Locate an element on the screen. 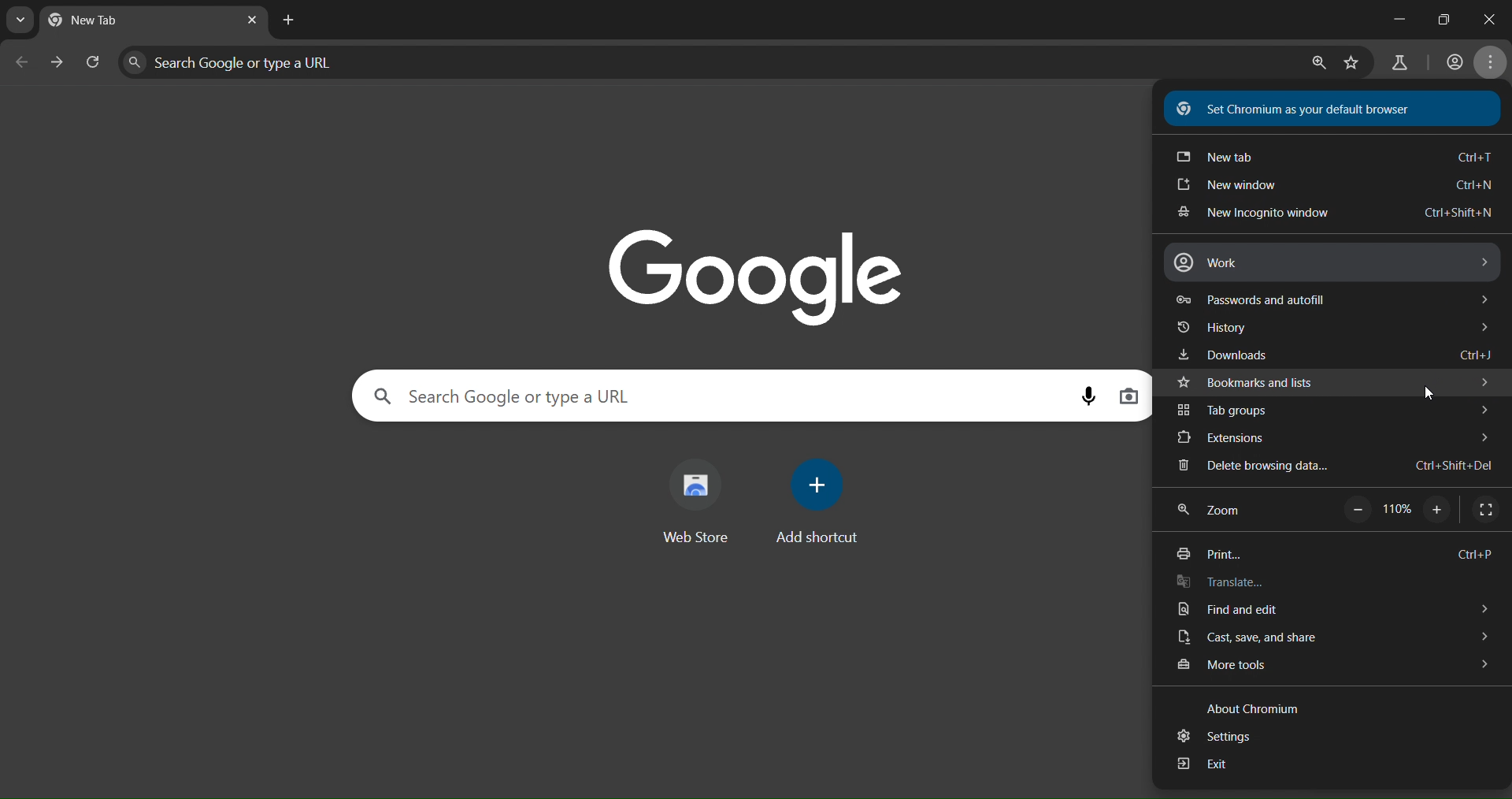  cast, save and share is located at coordinates (1331, 636).